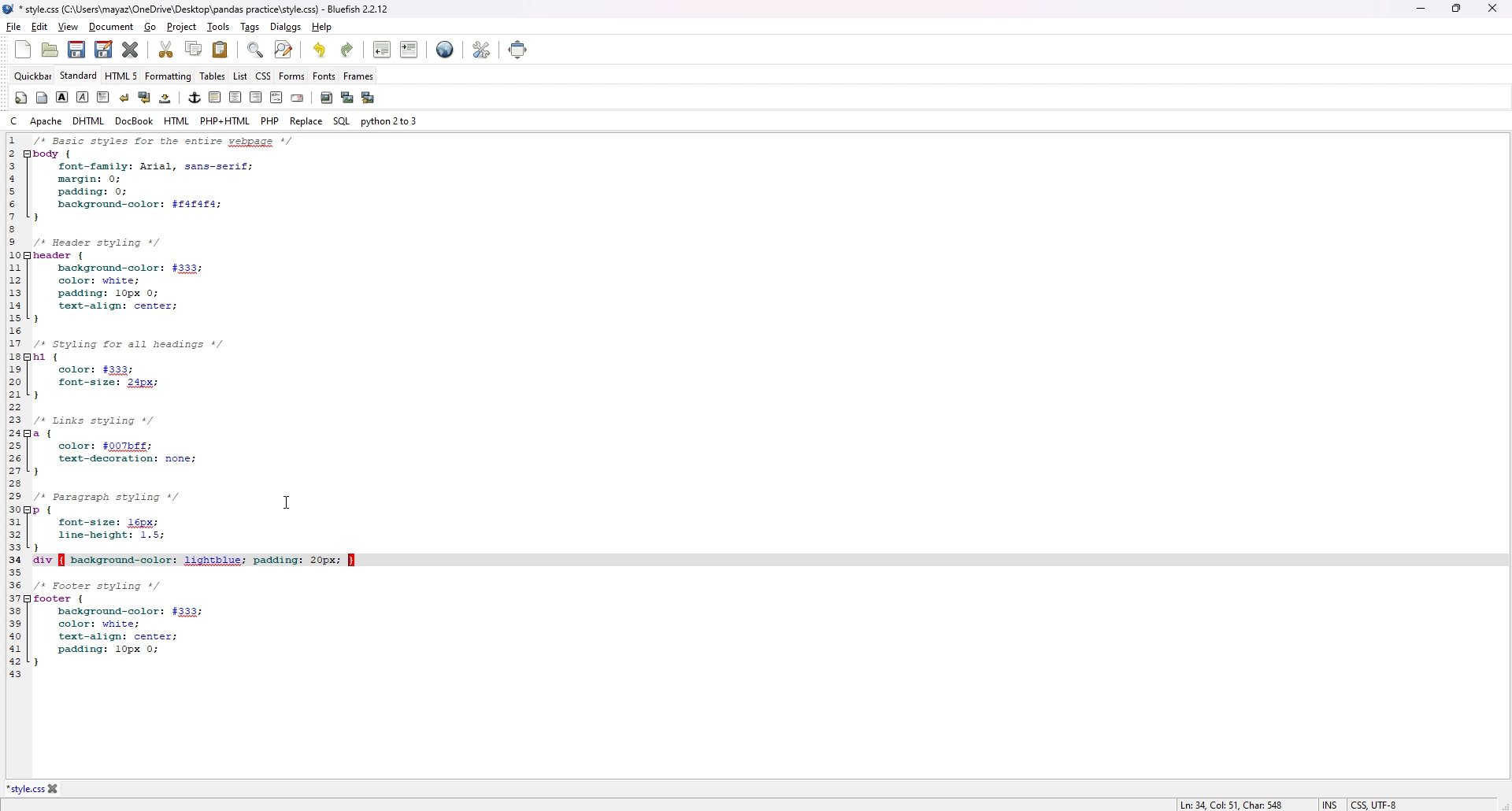 The width and height of the screenshot is (1512, 811). What do you see at coordinates (90, 121) in the screenshot?
I see `dhtml` at bounding box center [90, 121].